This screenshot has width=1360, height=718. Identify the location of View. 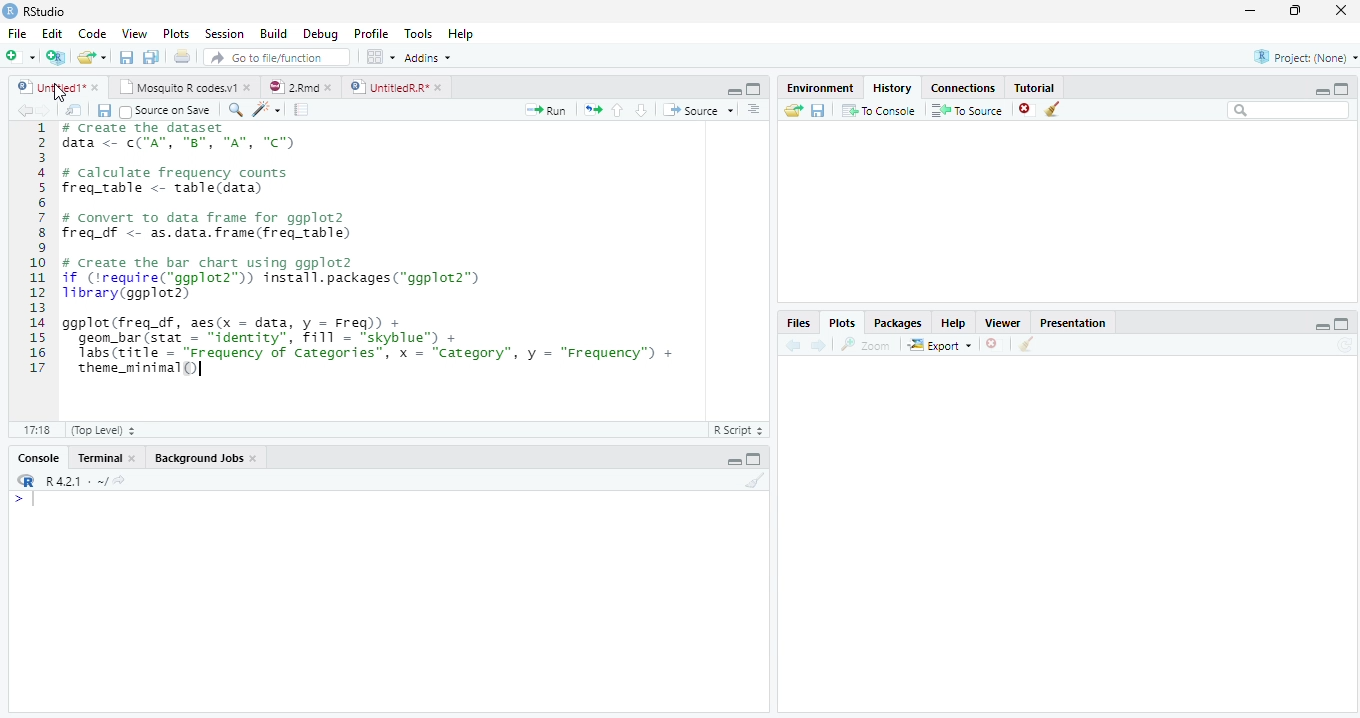
(133, 34).